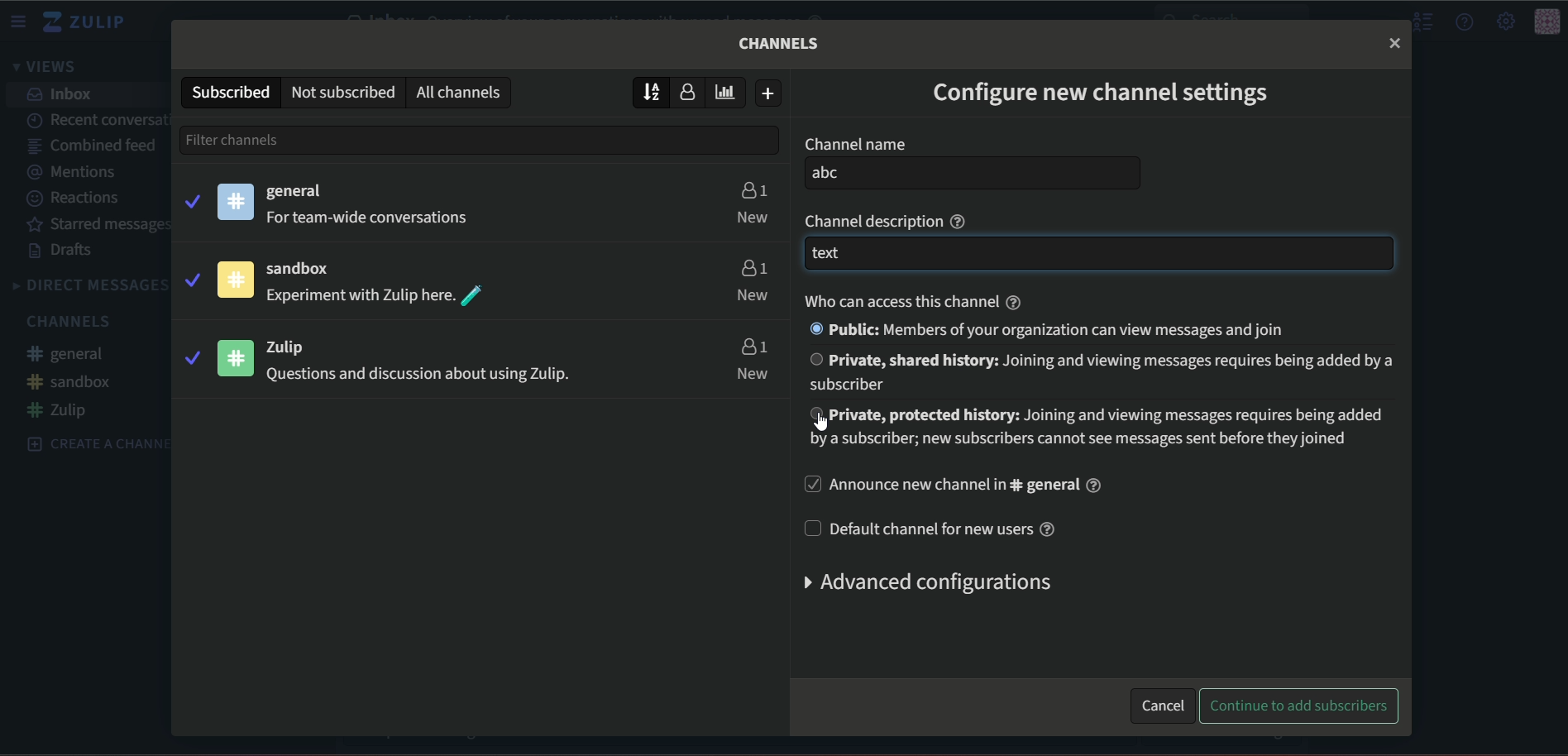  I want to click on add, so click(770, 93).